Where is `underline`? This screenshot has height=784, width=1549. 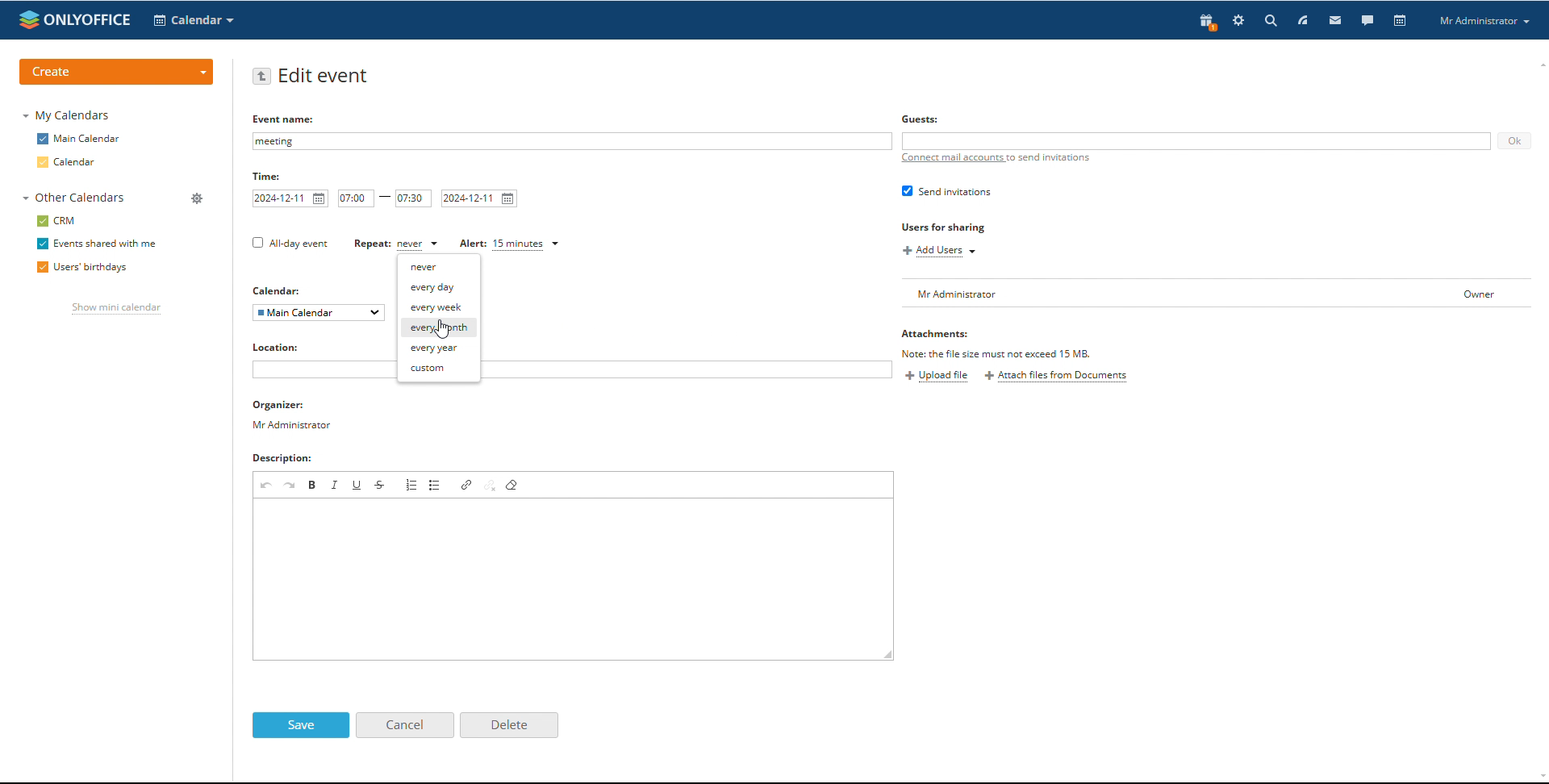 underline is located at coordinates (357, 485).